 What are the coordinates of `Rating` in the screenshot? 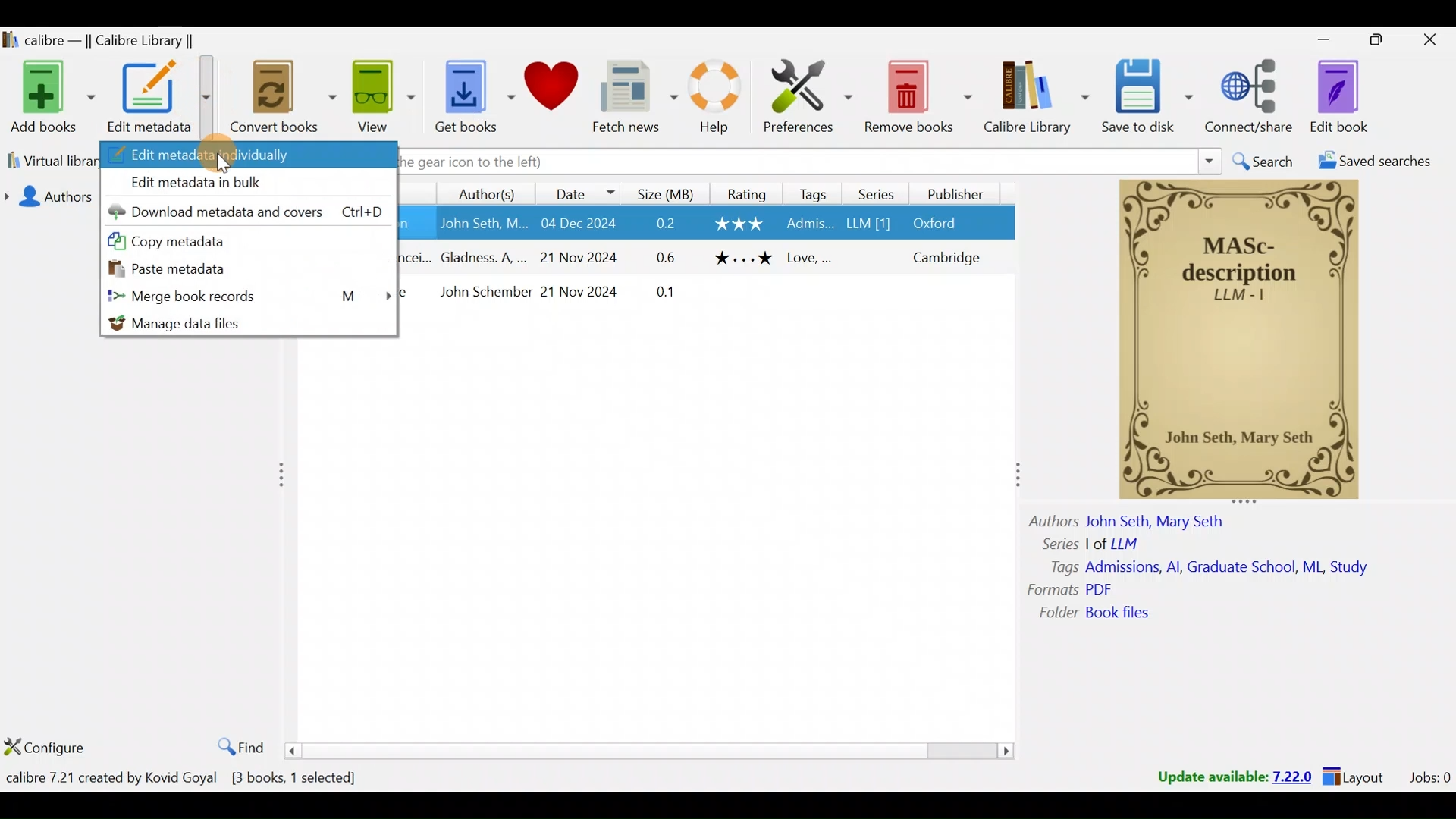 It's located at (748, 192).